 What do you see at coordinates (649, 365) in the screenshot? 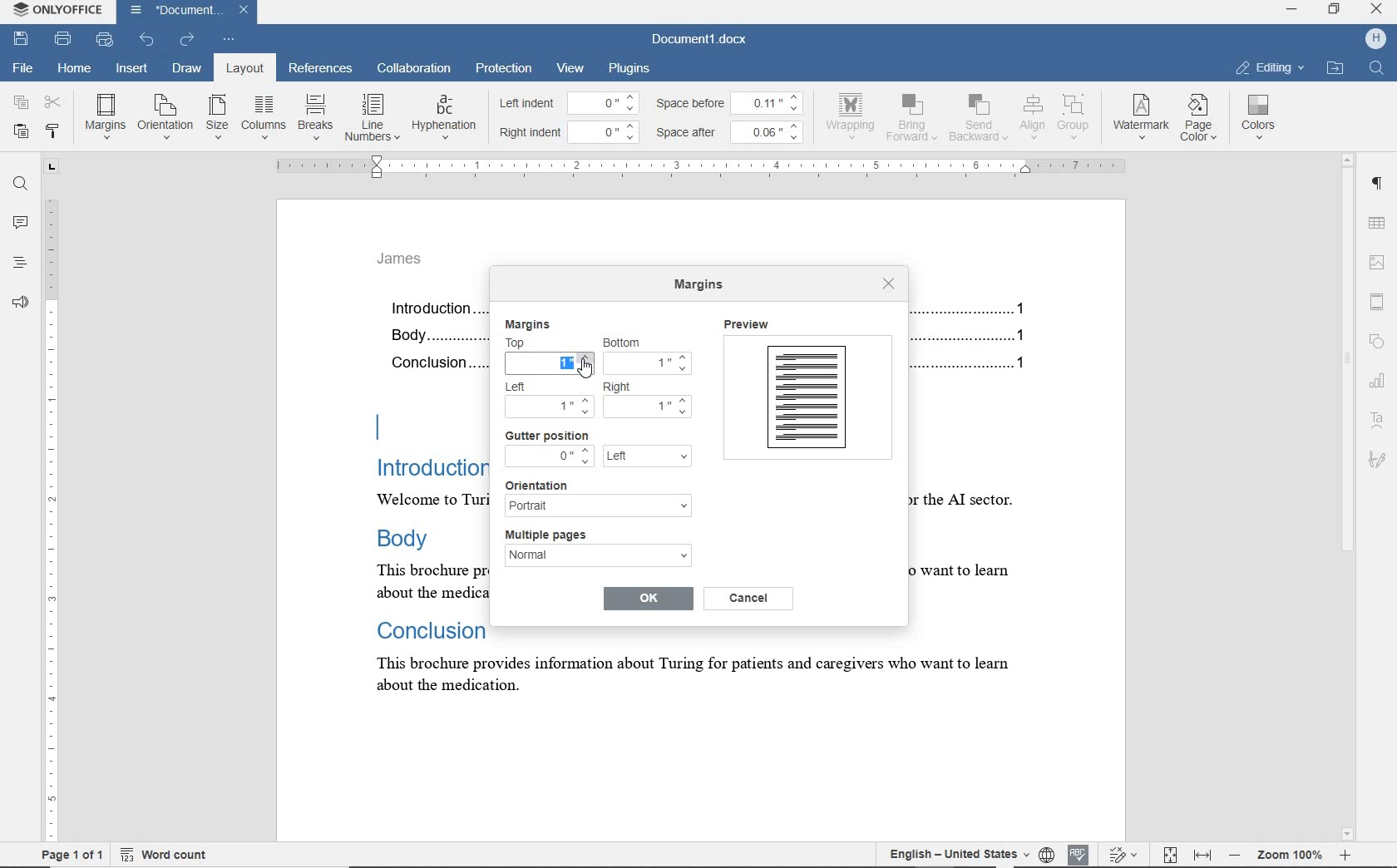
I see `1` at bounding box center [649, 365].